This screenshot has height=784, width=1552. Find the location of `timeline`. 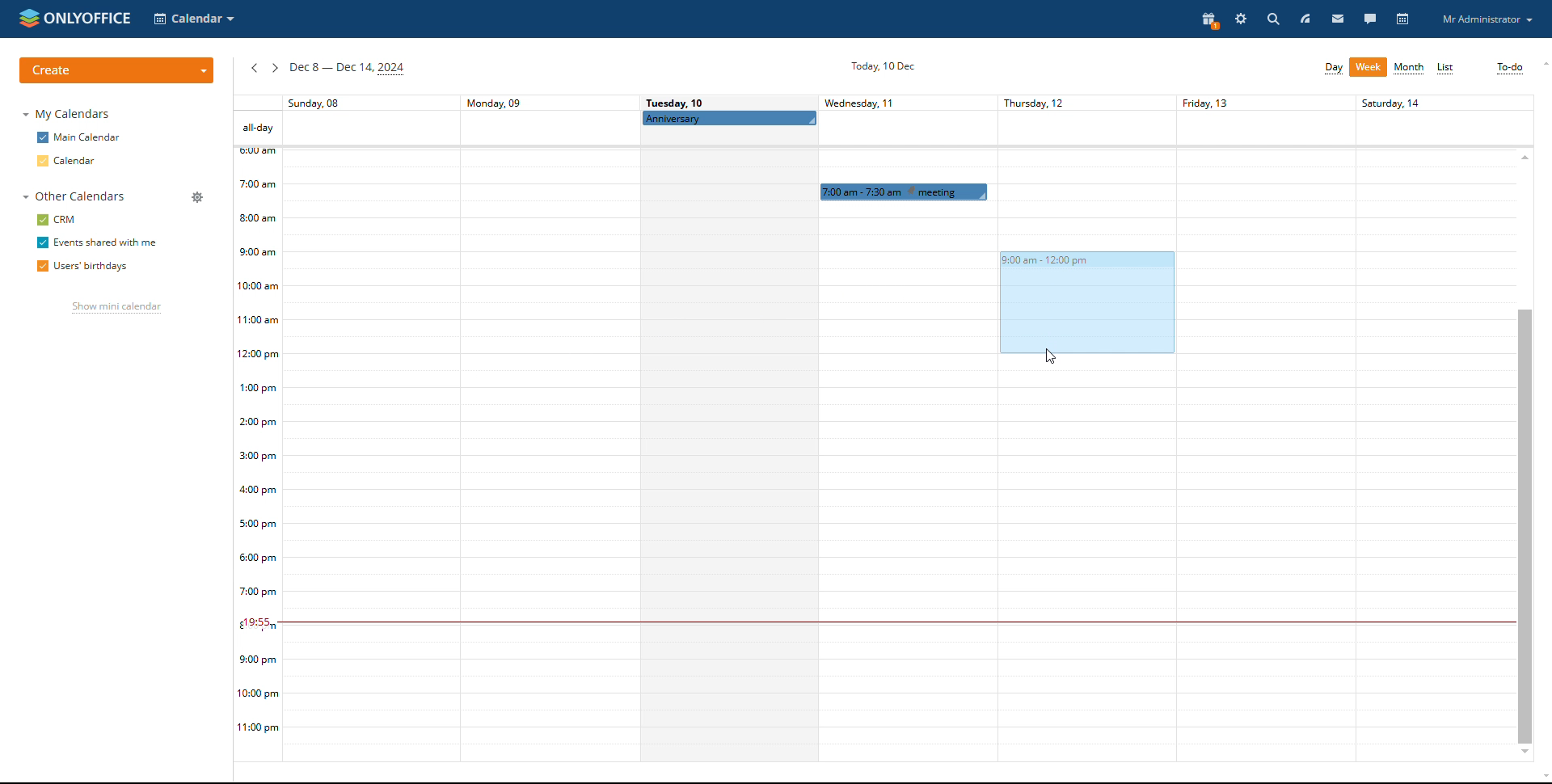

timeline is located at coordinates (258, 455).